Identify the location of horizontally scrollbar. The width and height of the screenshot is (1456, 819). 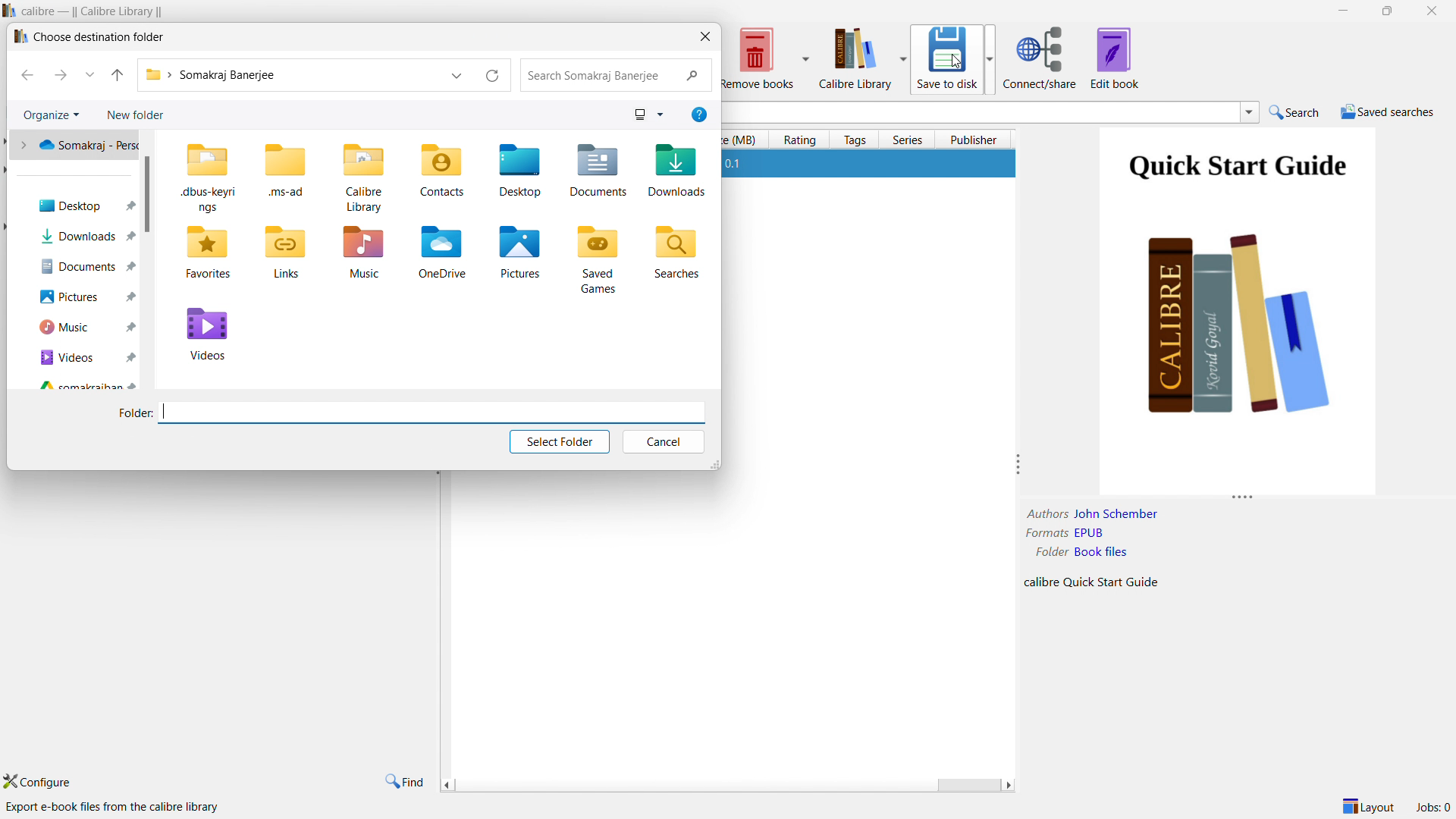
(730, 785).